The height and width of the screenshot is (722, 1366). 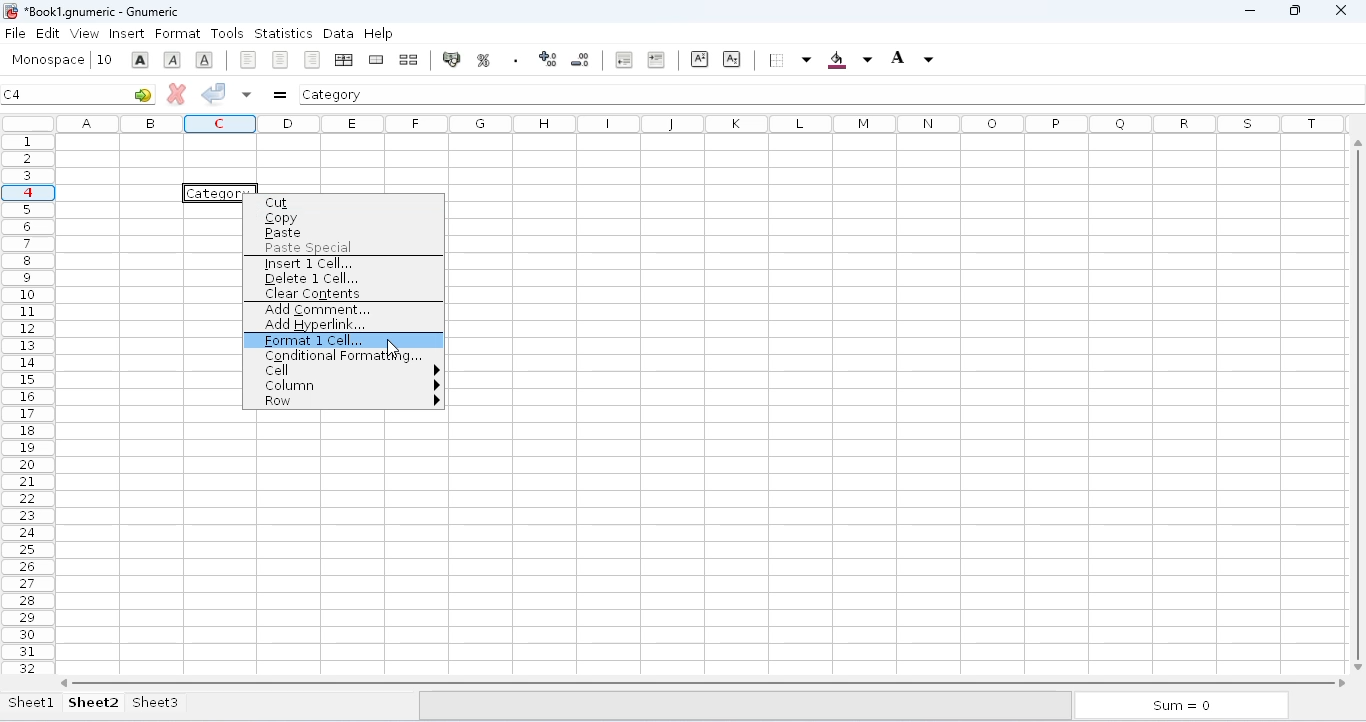 I want to click on vertical scroll bar, so click(x=1361, y=402).